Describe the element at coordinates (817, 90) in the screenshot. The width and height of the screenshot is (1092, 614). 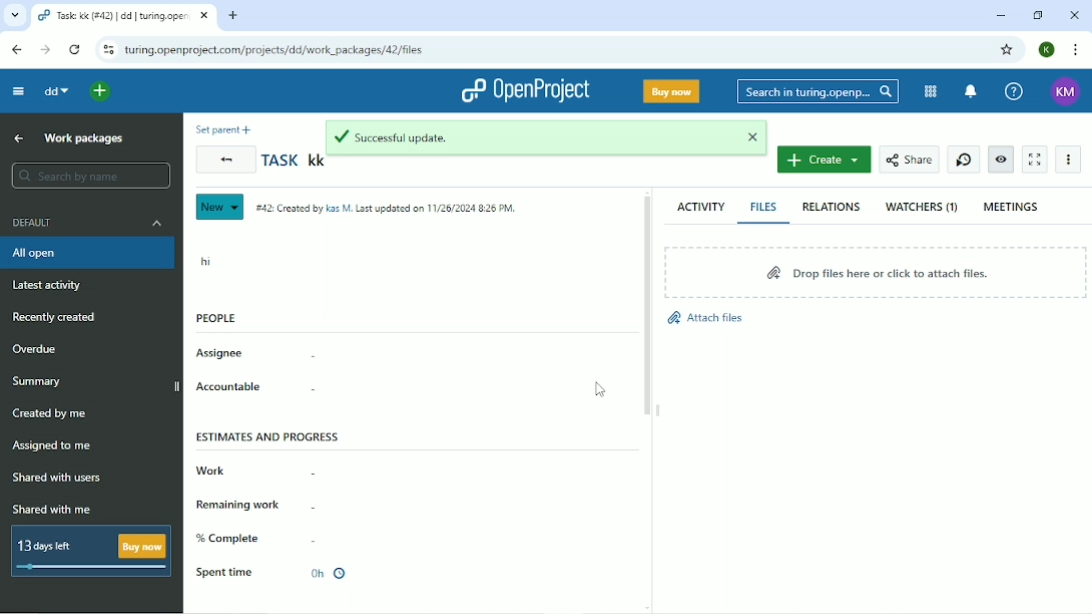
I see `Search in turing.openproject.com` at that location.